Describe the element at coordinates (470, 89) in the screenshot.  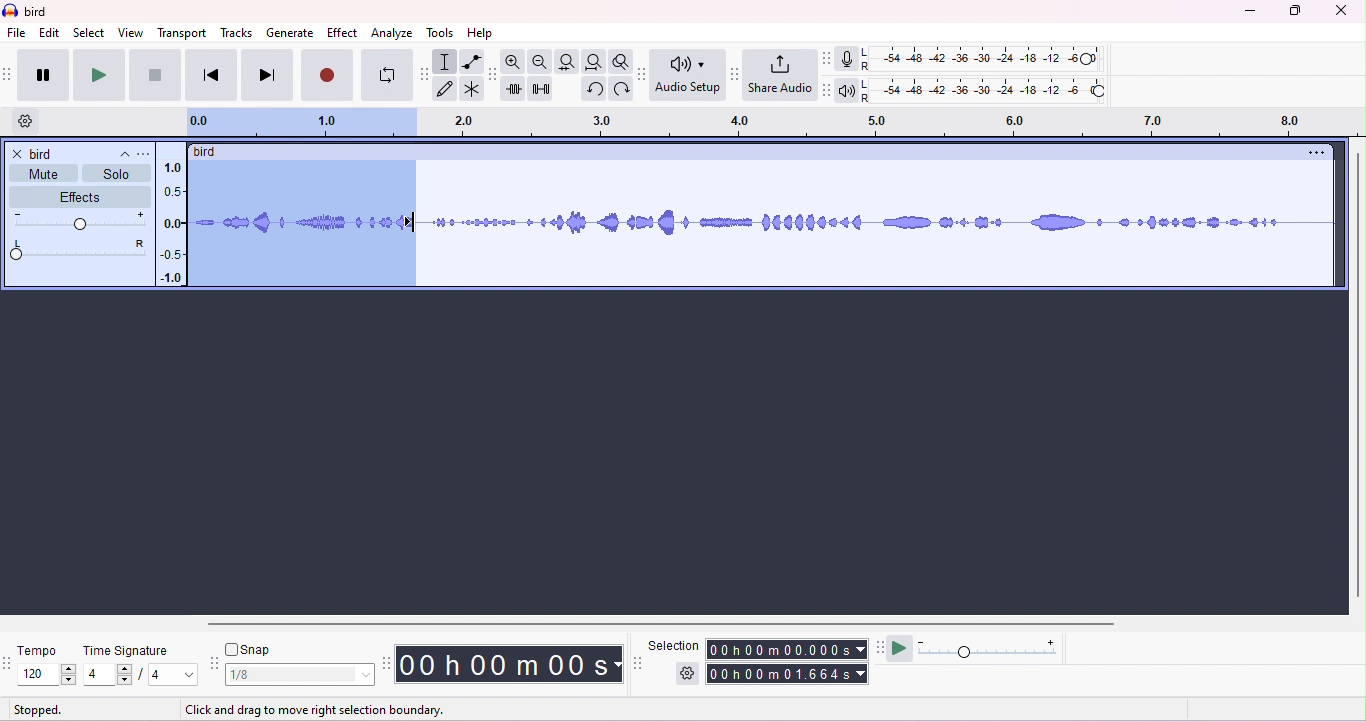
I see `multi ` at that location.